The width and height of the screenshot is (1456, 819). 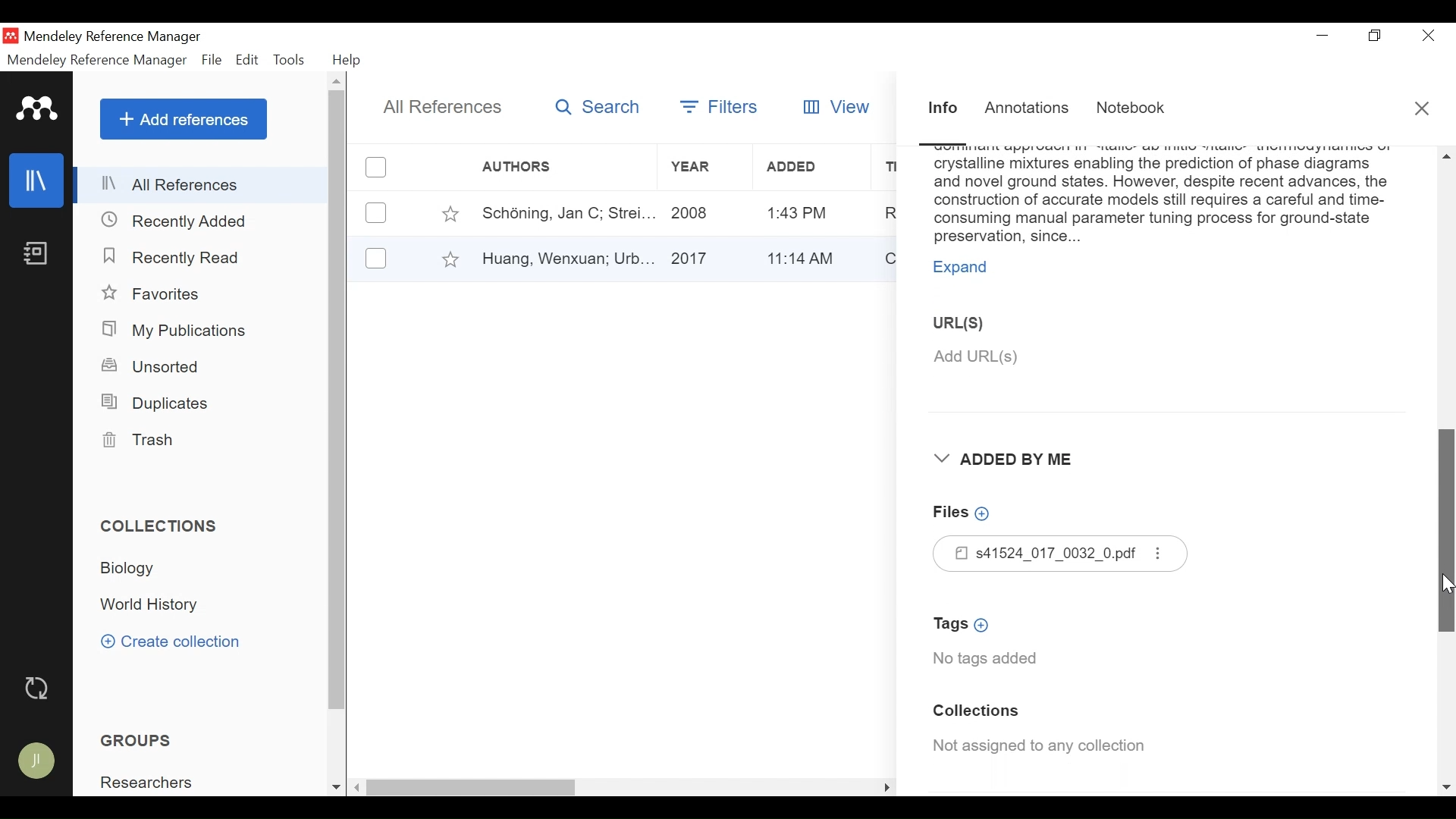 I want to click on URL(S), so click(x=971, y=322).